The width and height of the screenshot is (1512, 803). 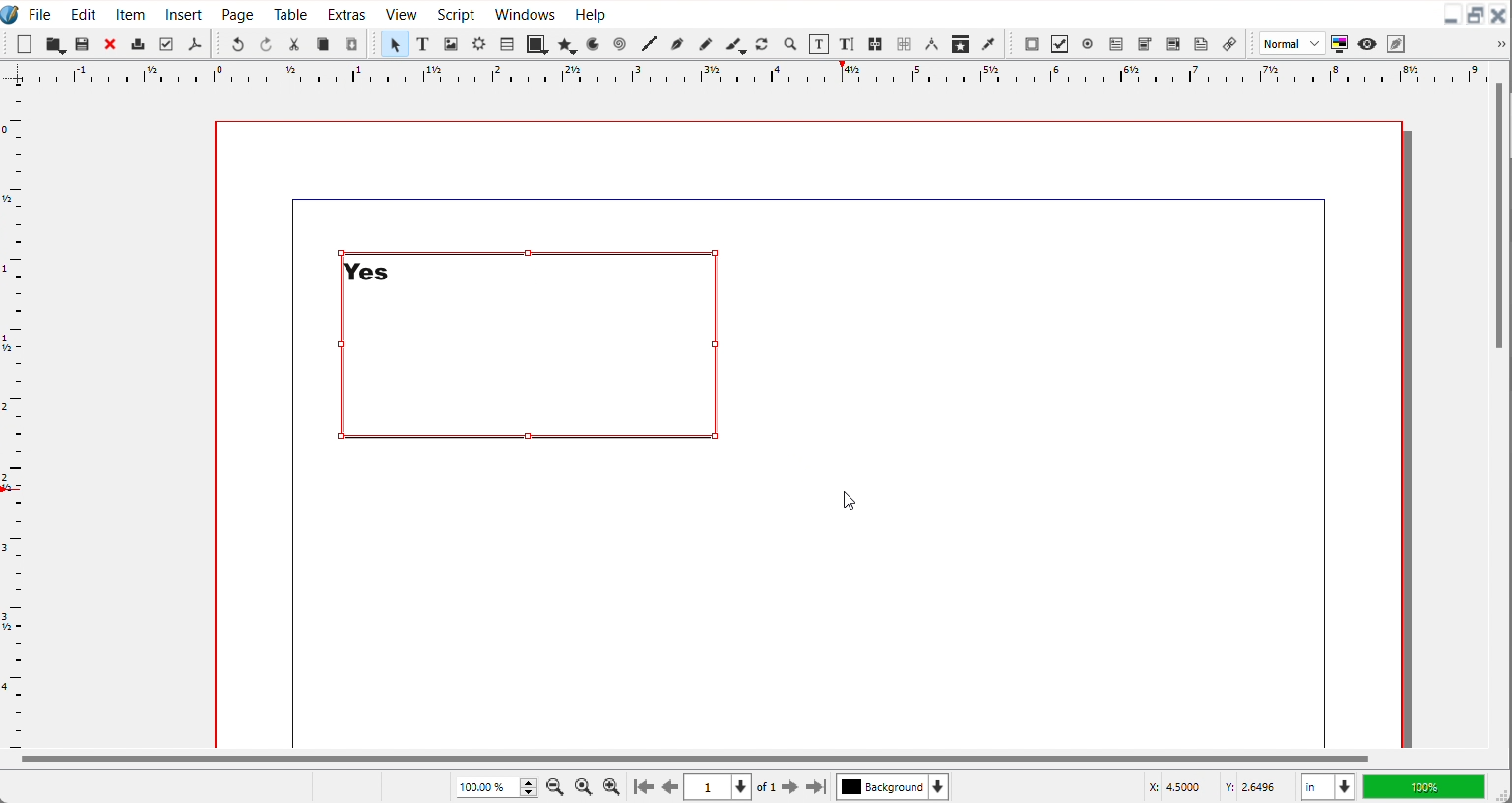 What do you see at coordinates (788, 43) in the screenshot?
I see `Zoom in or out` at bounding box center [788, 43].